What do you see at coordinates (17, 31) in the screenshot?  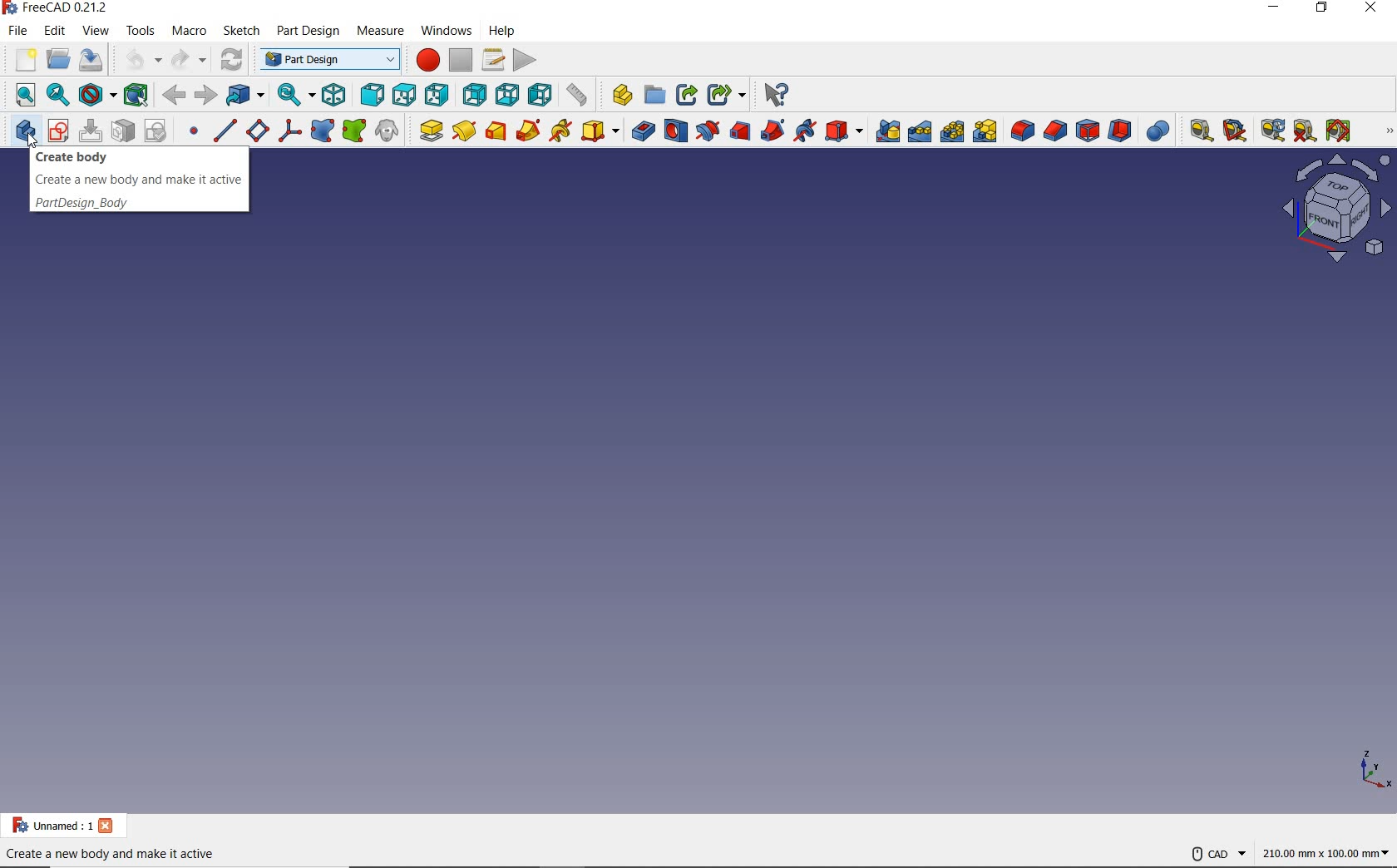 I see `FILE` at bounding box center [17, 31].